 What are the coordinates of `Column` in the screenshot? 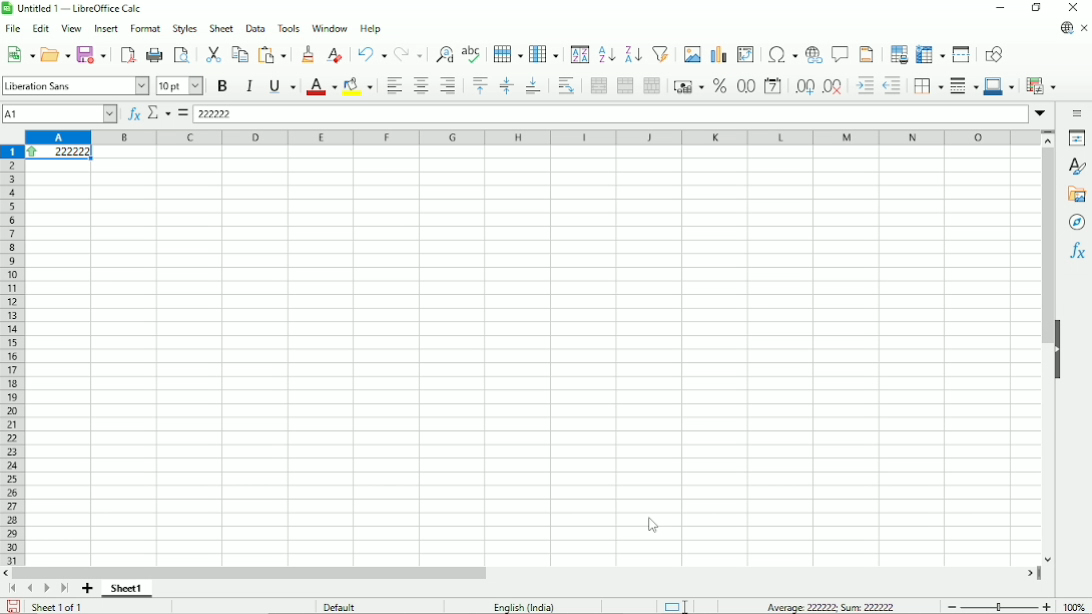 It's located at (545, 54).